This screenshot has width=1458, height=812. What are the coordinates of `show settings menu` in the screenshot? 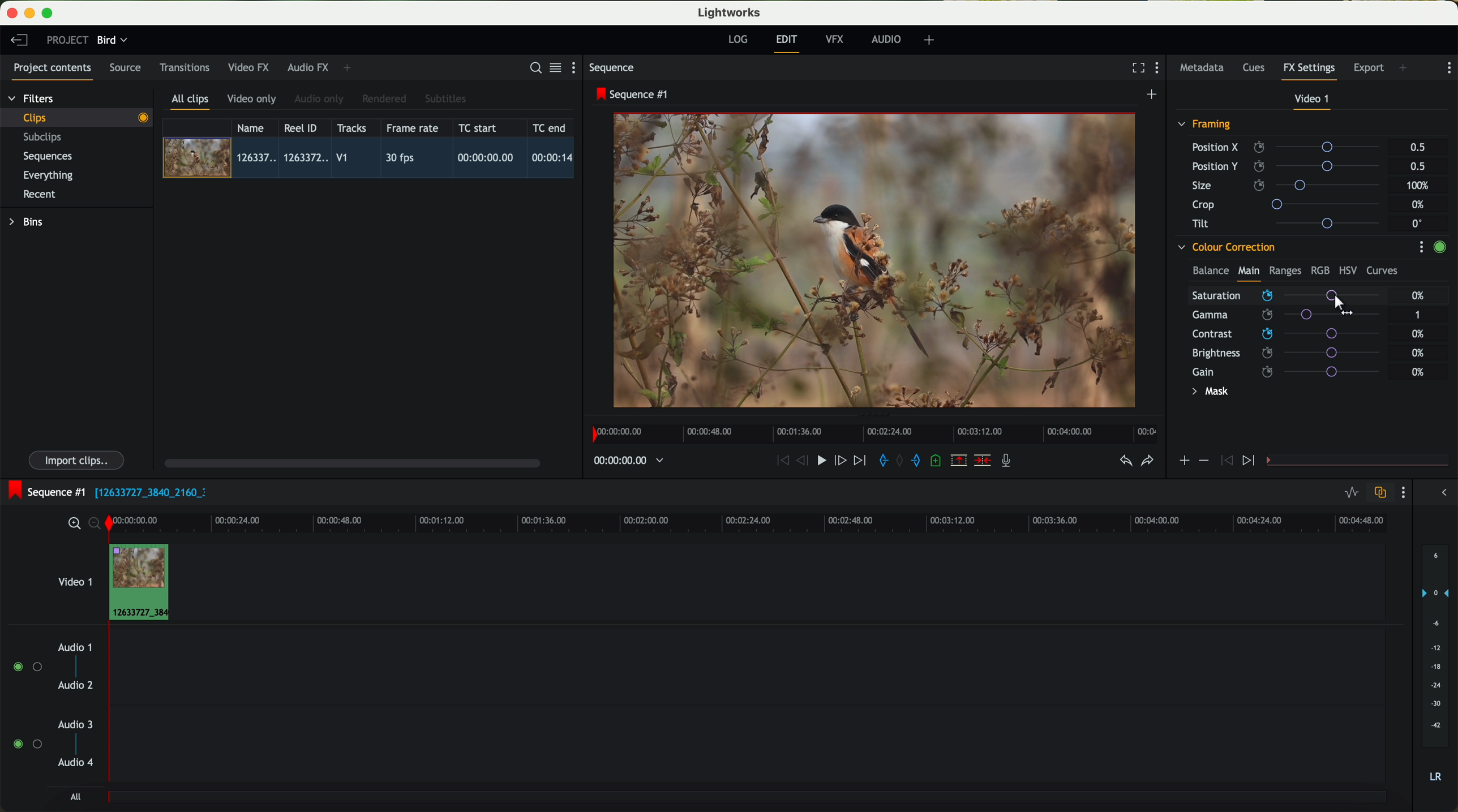 It's located at (1402, 492).